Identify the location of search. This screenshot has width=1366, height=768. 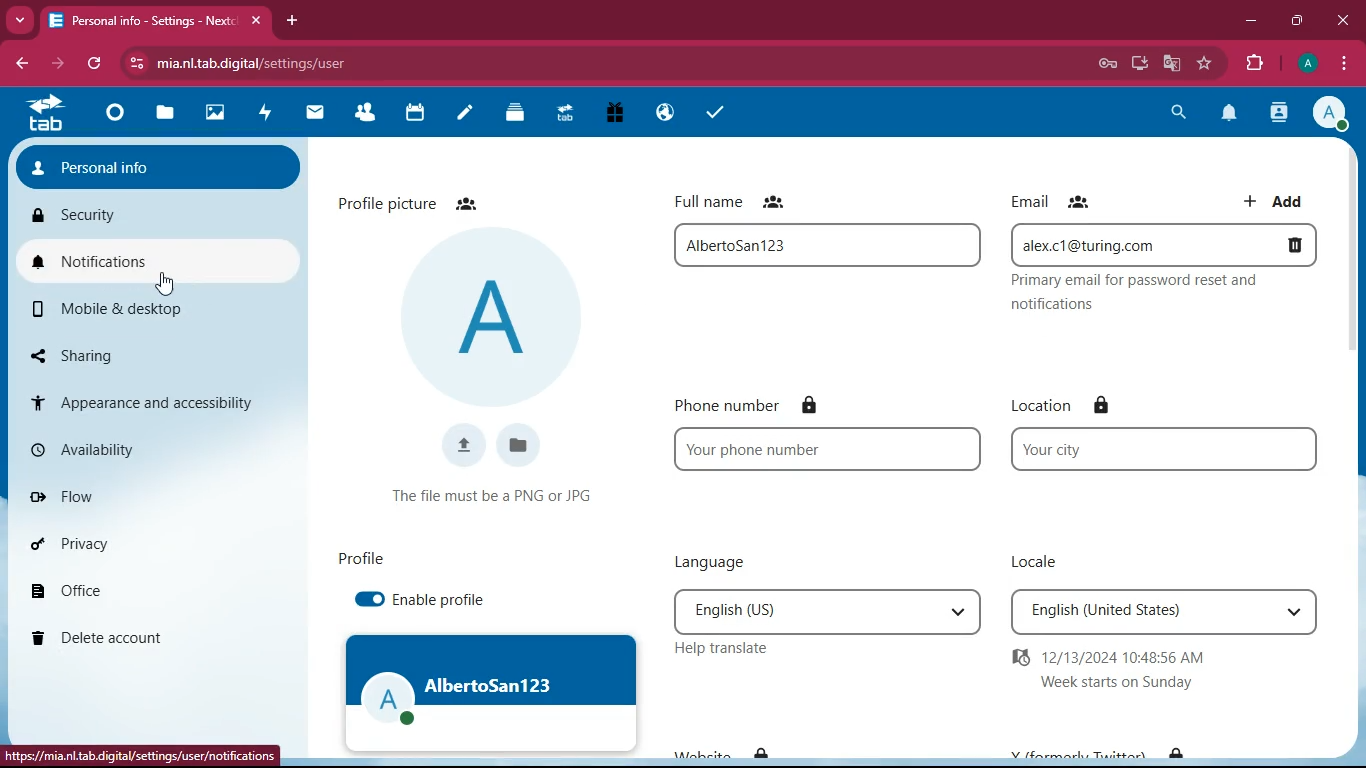
(1177, 114).